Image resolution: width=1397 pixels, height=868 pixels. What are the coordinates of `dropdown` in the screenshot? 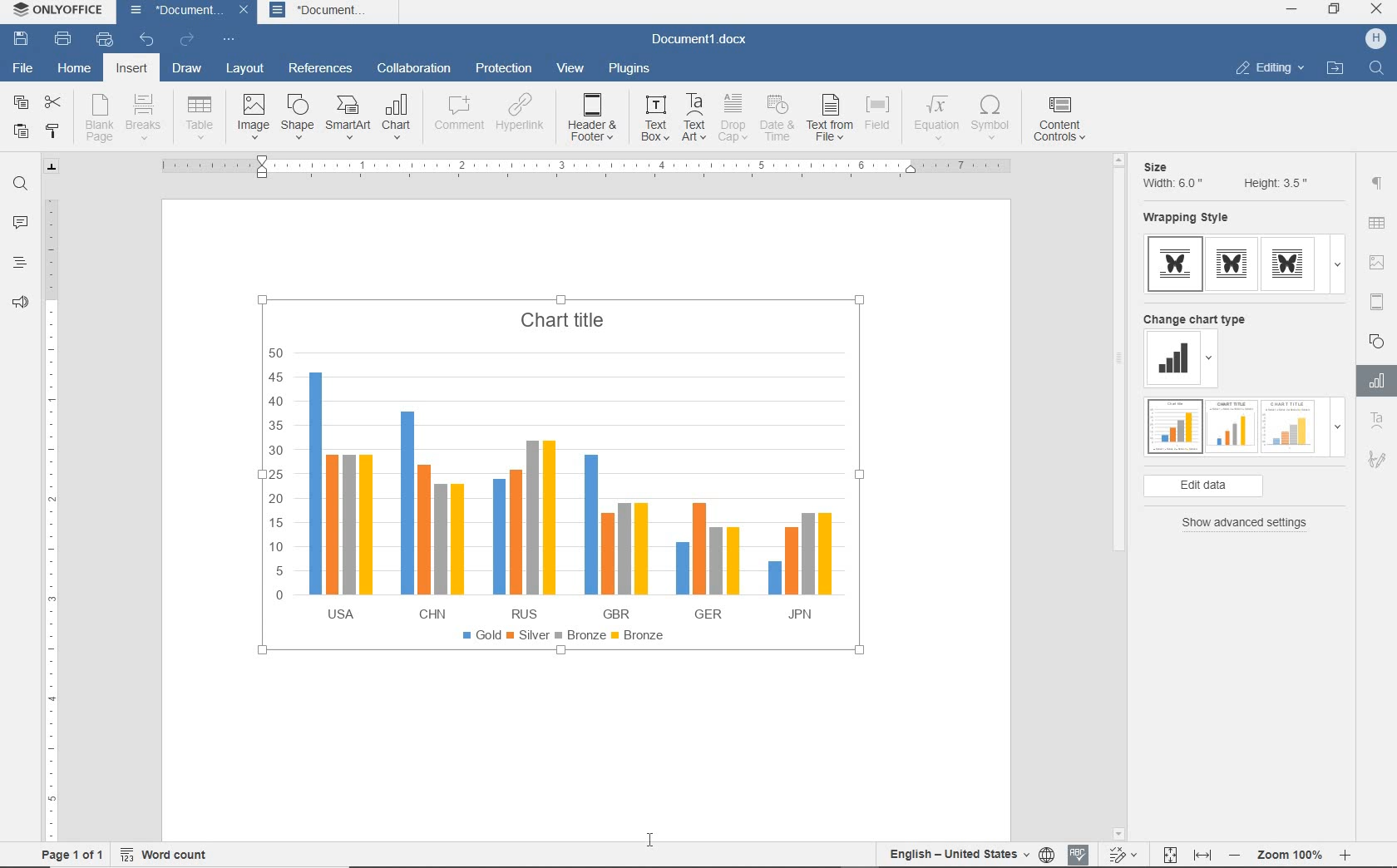 It's located at (1337, 432).